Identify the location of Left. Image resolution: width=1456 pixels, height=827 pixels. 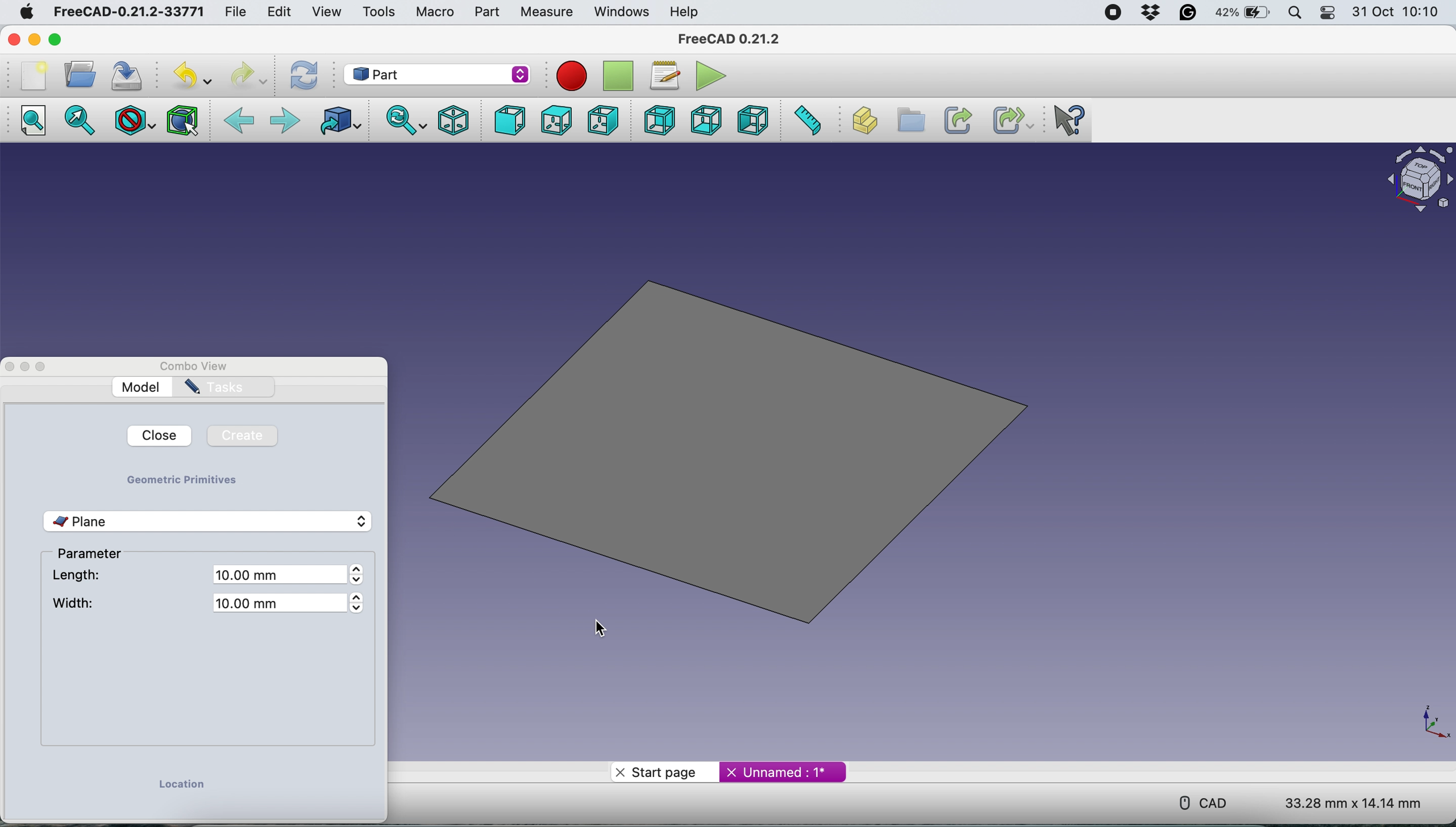
(753, 120).